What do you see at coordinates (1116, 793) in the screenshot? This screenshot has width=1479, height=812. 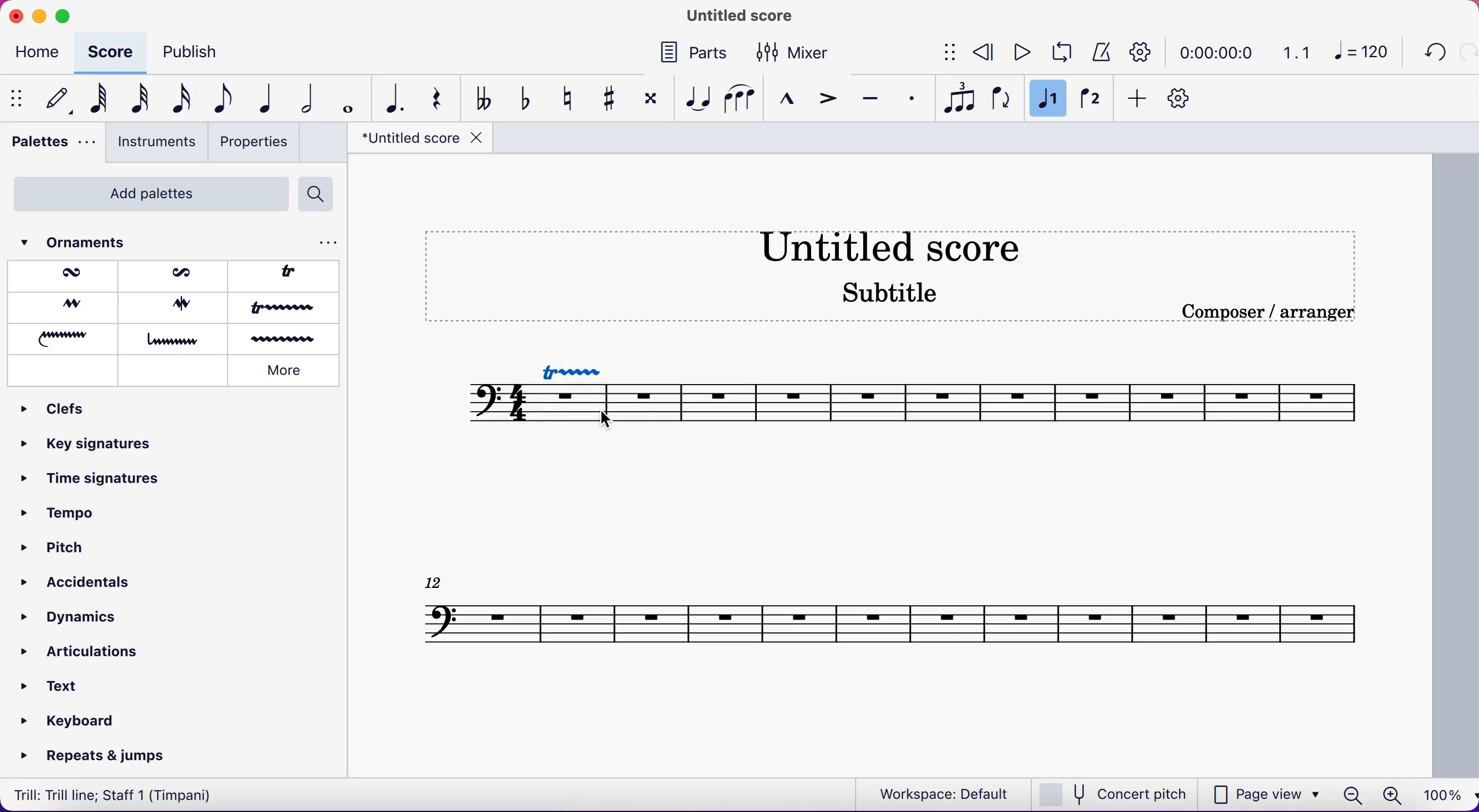 I see `concert pitch` at bounding box center [1116, 793].